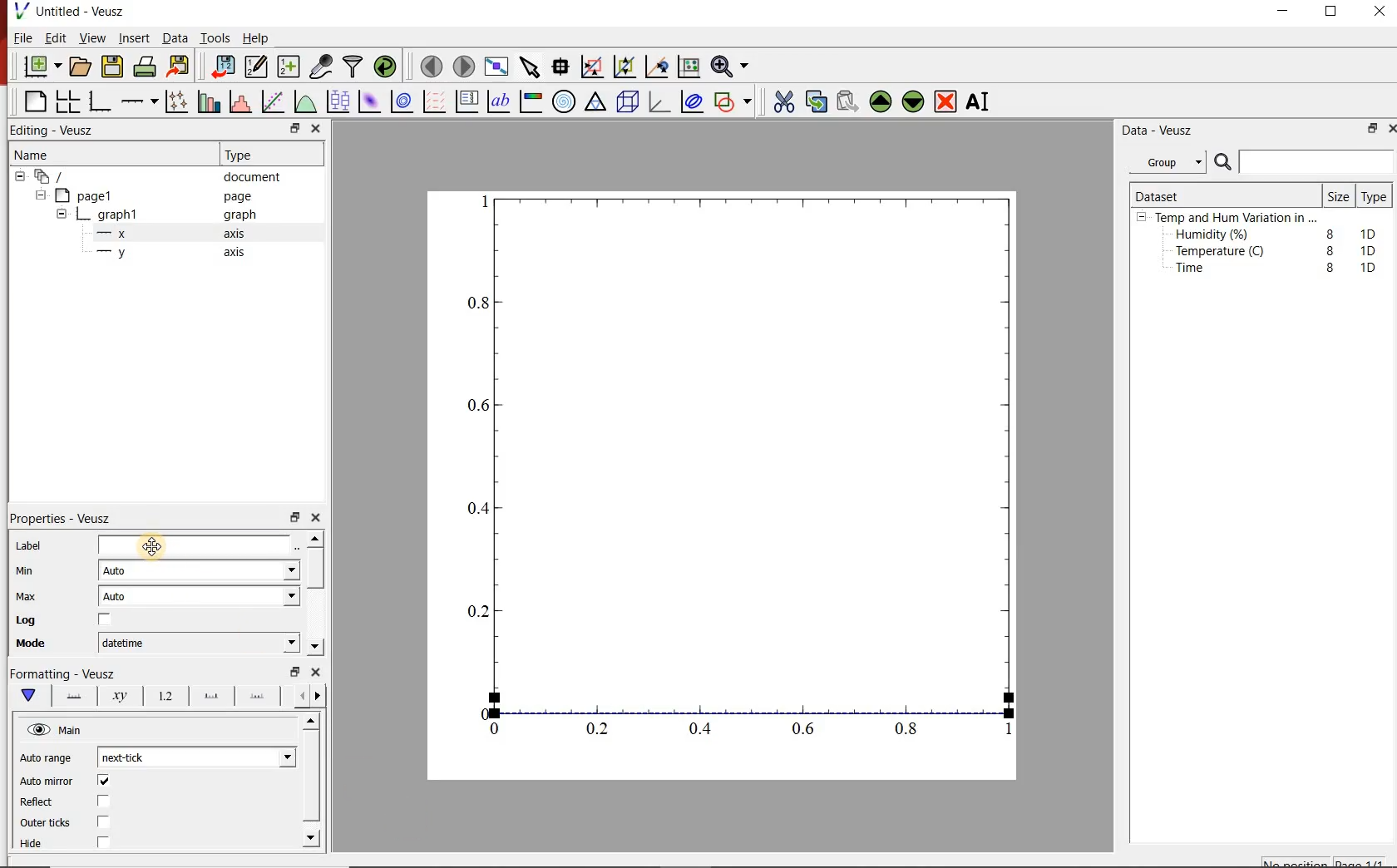 The width and height of the screenshot is (1397, 868). I want to click on main formatting, so click(30, 697).